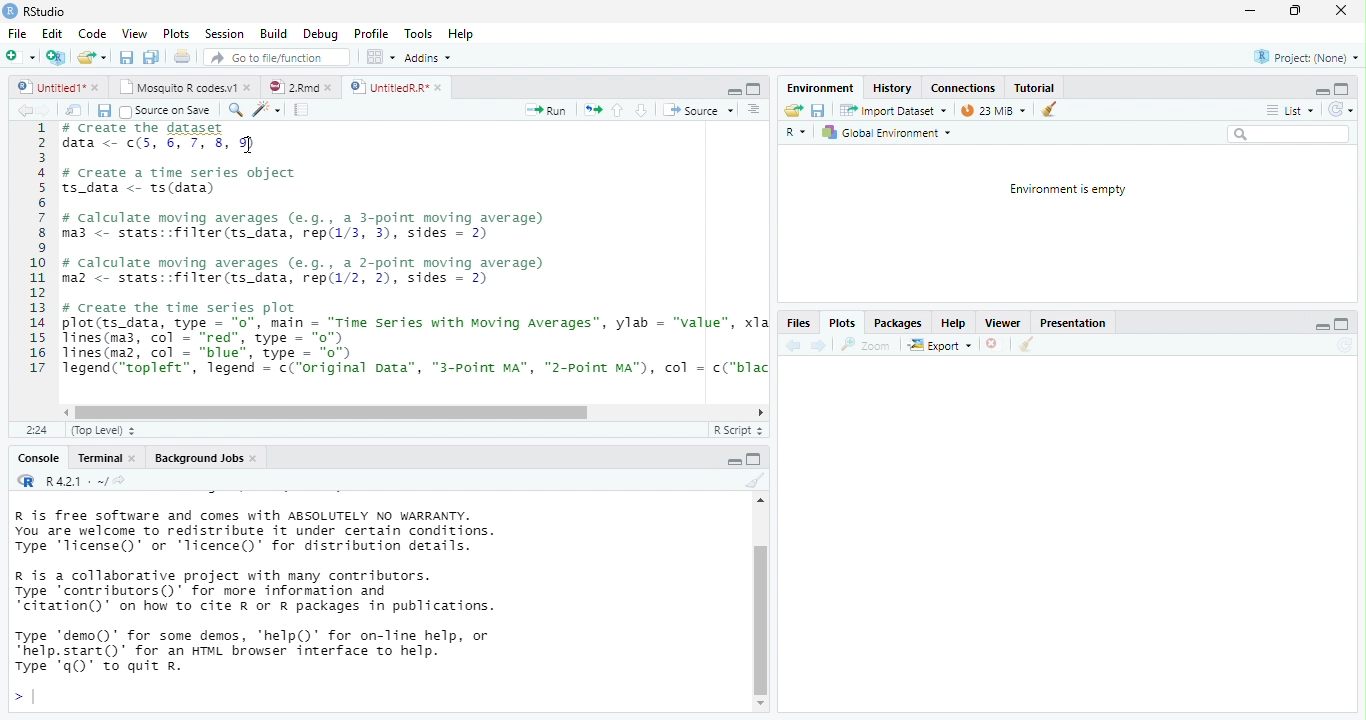 The image size is (1366, 720). I want to click on next, so click(48, 111).